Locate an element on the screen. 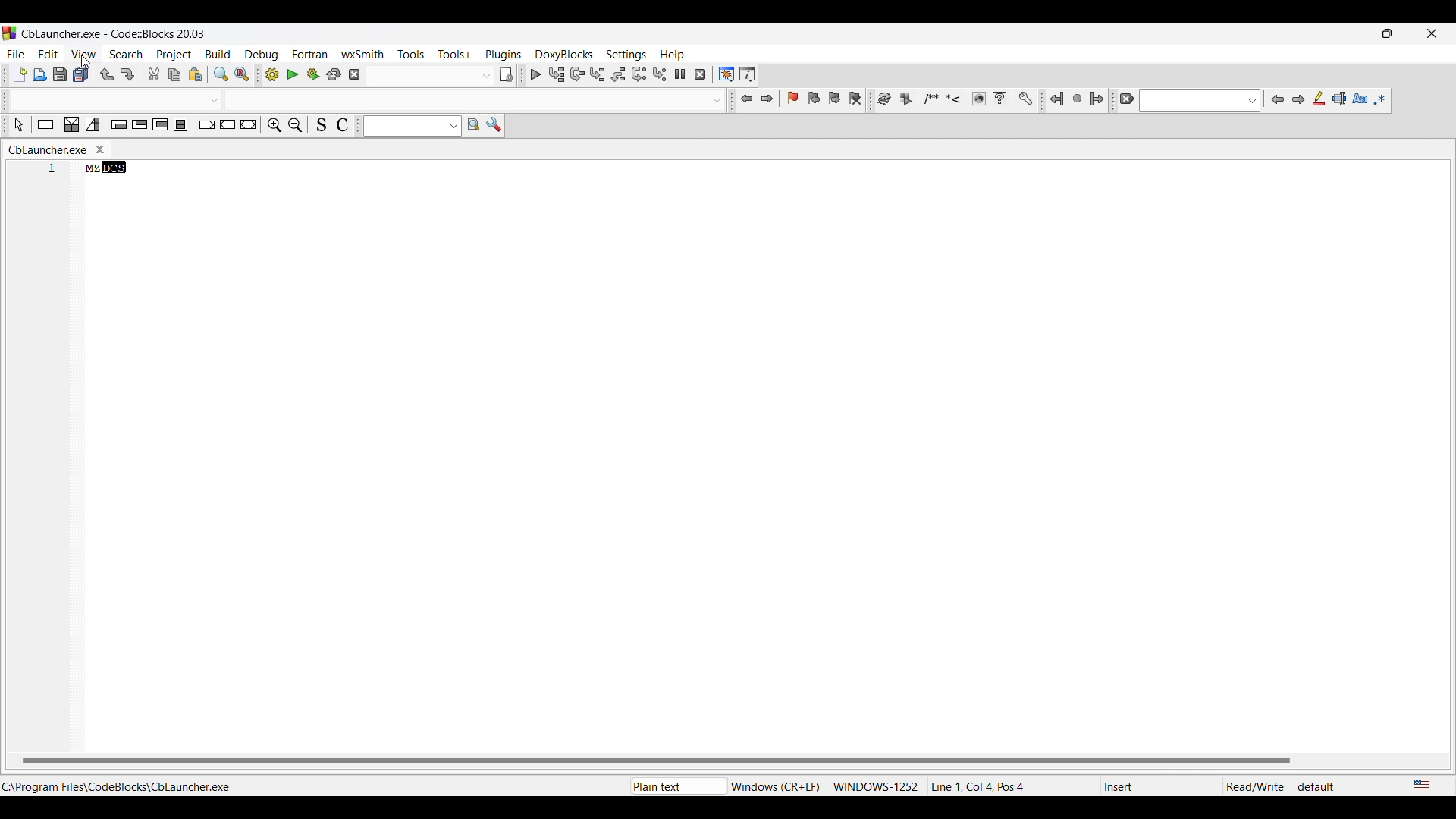 Image resolution: width=1456 pixels, height=819 pixels. Text to search options is located at coordinates (453, 126).